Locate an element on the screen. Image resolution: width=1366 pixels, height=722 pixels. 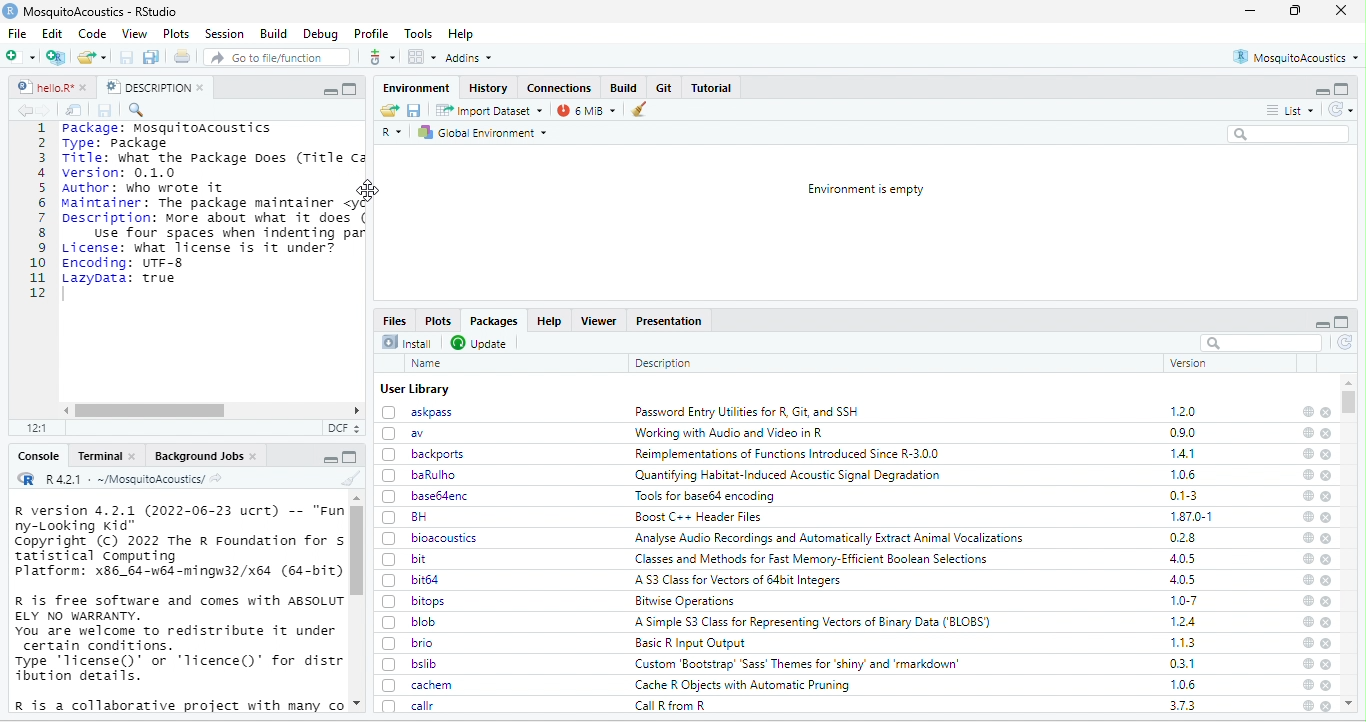
Show in new window is located at coordinates (74, 110).